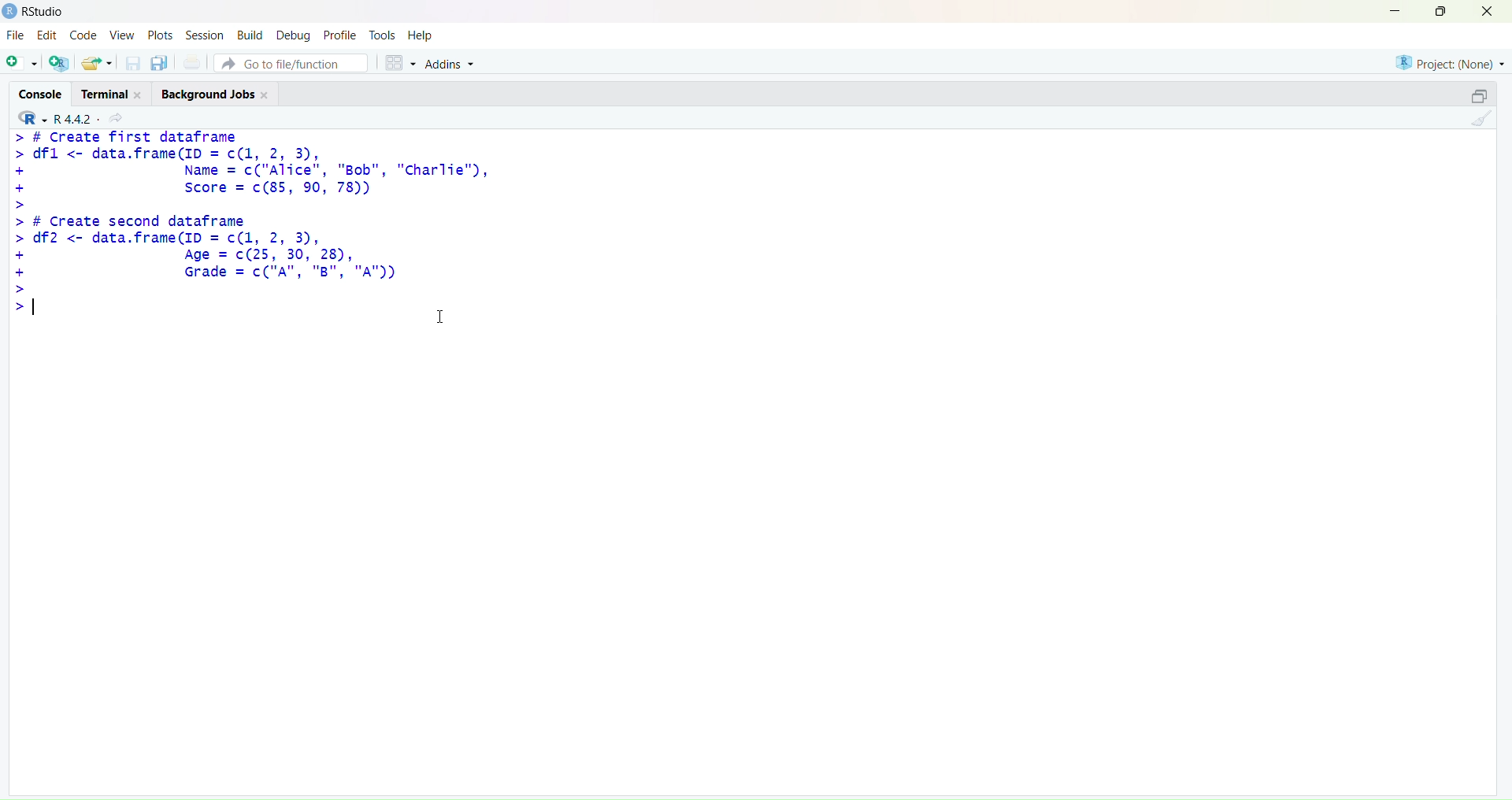 This screenshot has width=1512, height=800. Describe the element at coordinates (251, 213) in the screenshot. I see `# Create Tirst dataframe
dfl <- data.frame(ID = c(1, 2, 3),
Name = c("Alice", "Bob", "Char
Score = c(85, 90, 78))
# Create second dataframe
df2 <- data.frame(ID = c(1, 2, 3),
Age = c(25, 30, 28),
Grade = c("A", "B", "A"))` at that location.